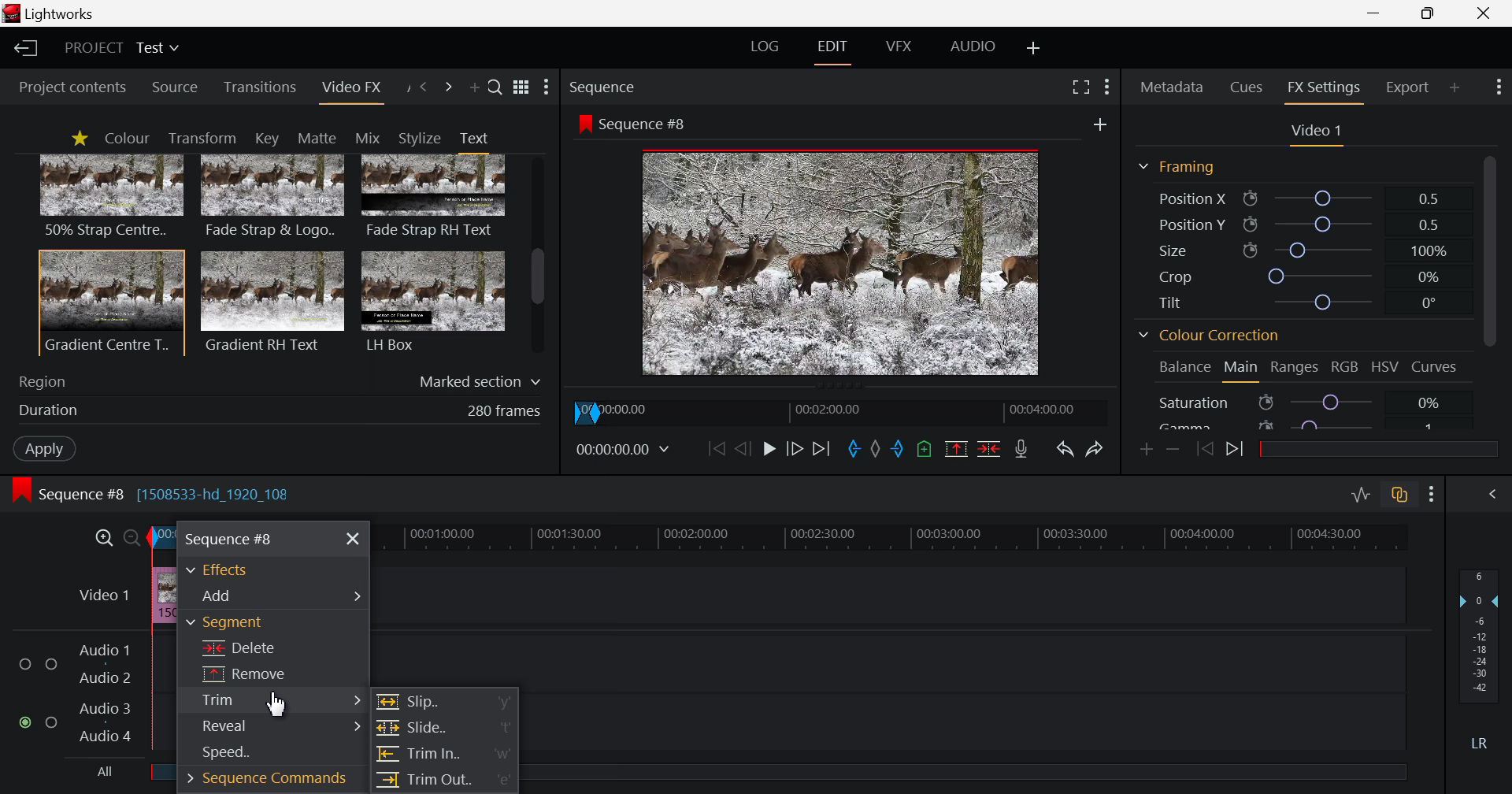 The height and width of the screenshot is (794, 1512). Describe the element at coordinates (1065, 449) in the screenshot. I see `Undo` at that location.